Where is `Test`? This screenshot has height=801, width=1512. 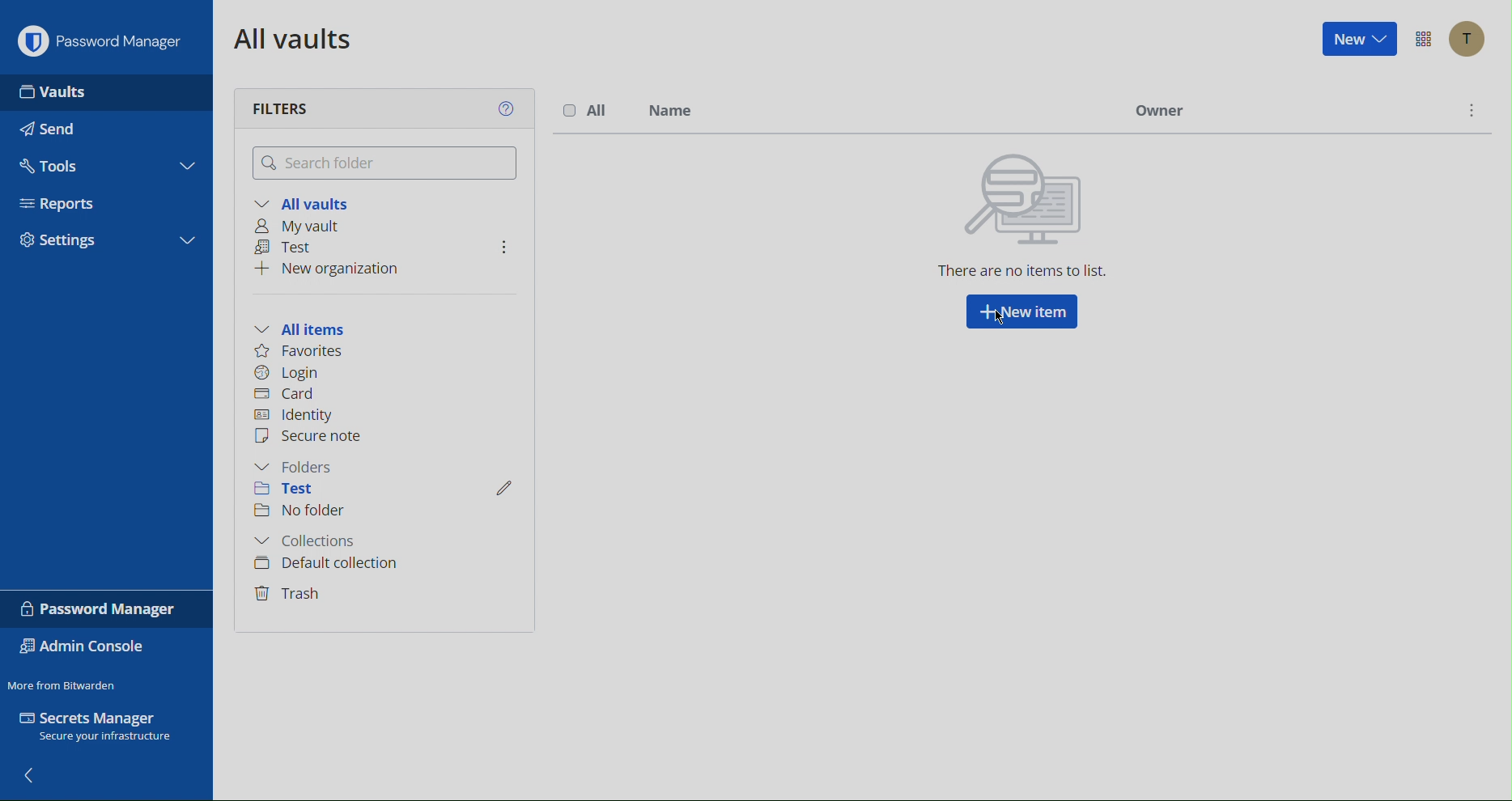 Test is located at coordinates (289, 246).